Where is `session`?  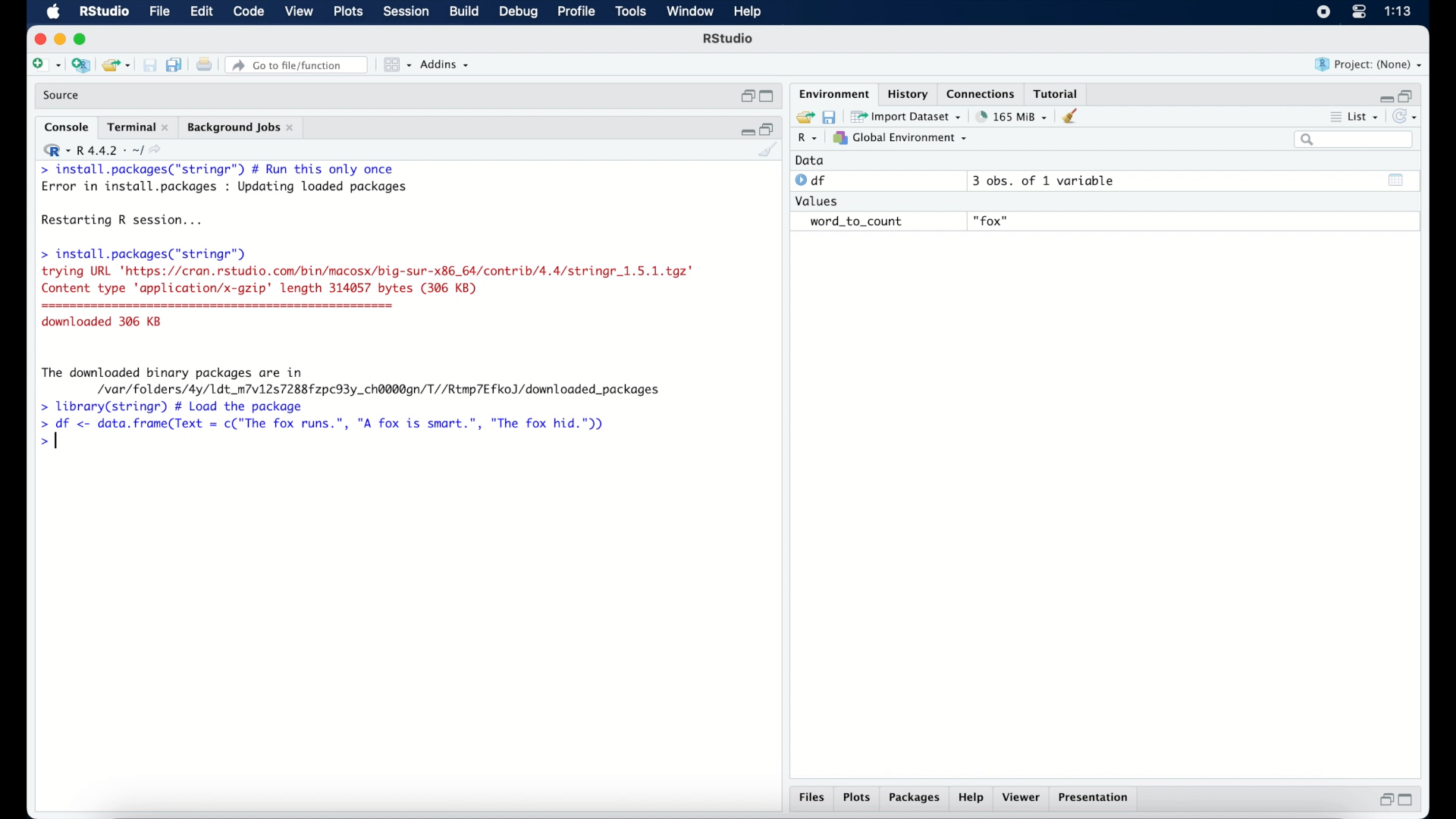 session is located at coordinates (405, 12).